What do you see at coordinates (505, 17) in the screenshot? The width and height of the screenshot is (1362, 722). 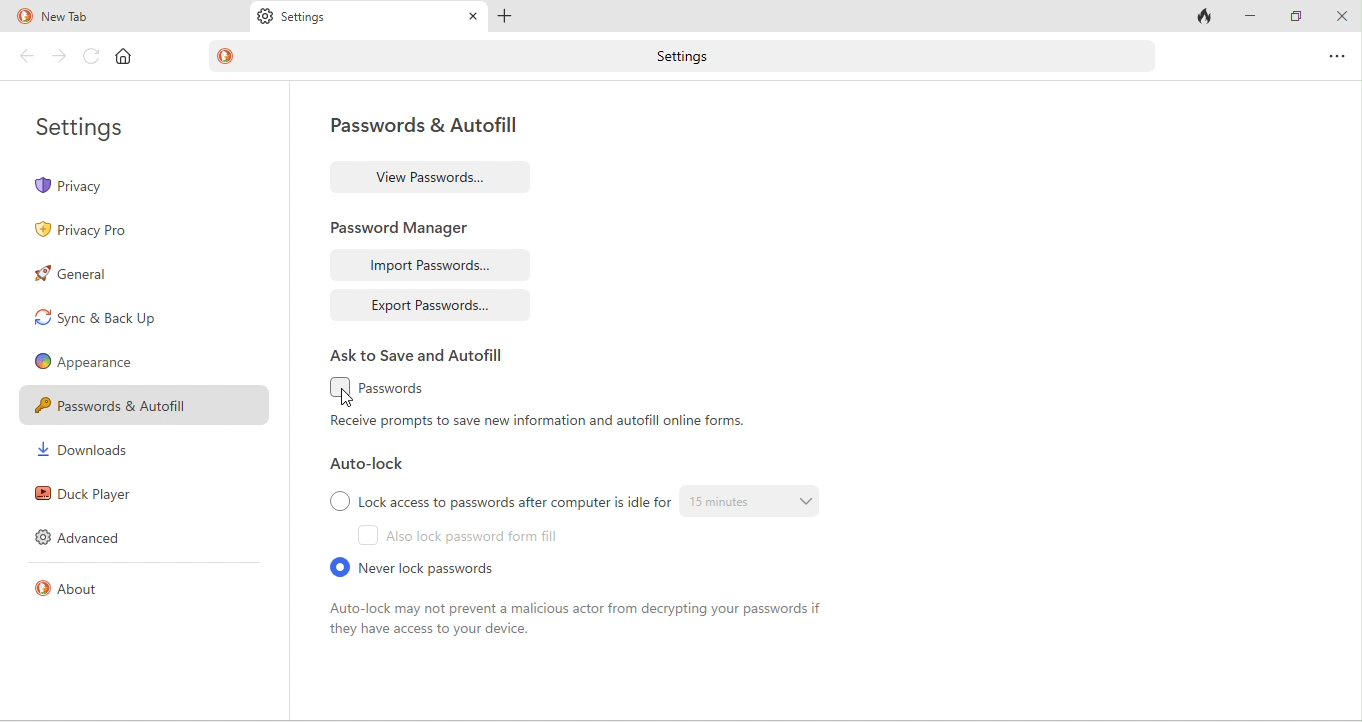 I see `add tab` at bounding box center [505, 17].